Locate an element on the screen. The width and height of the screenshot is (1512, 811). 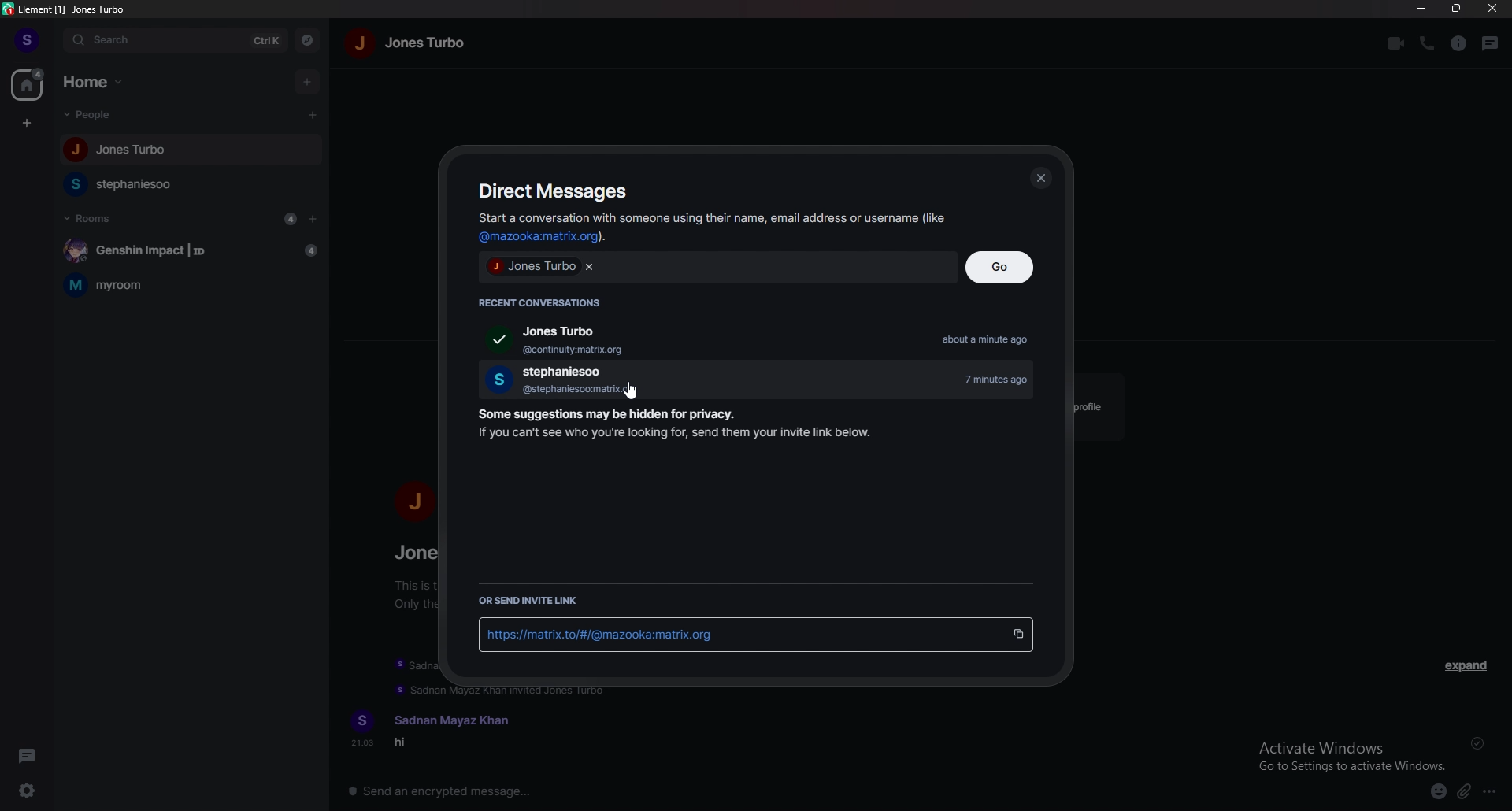
s is located at coordinates (28, 39).